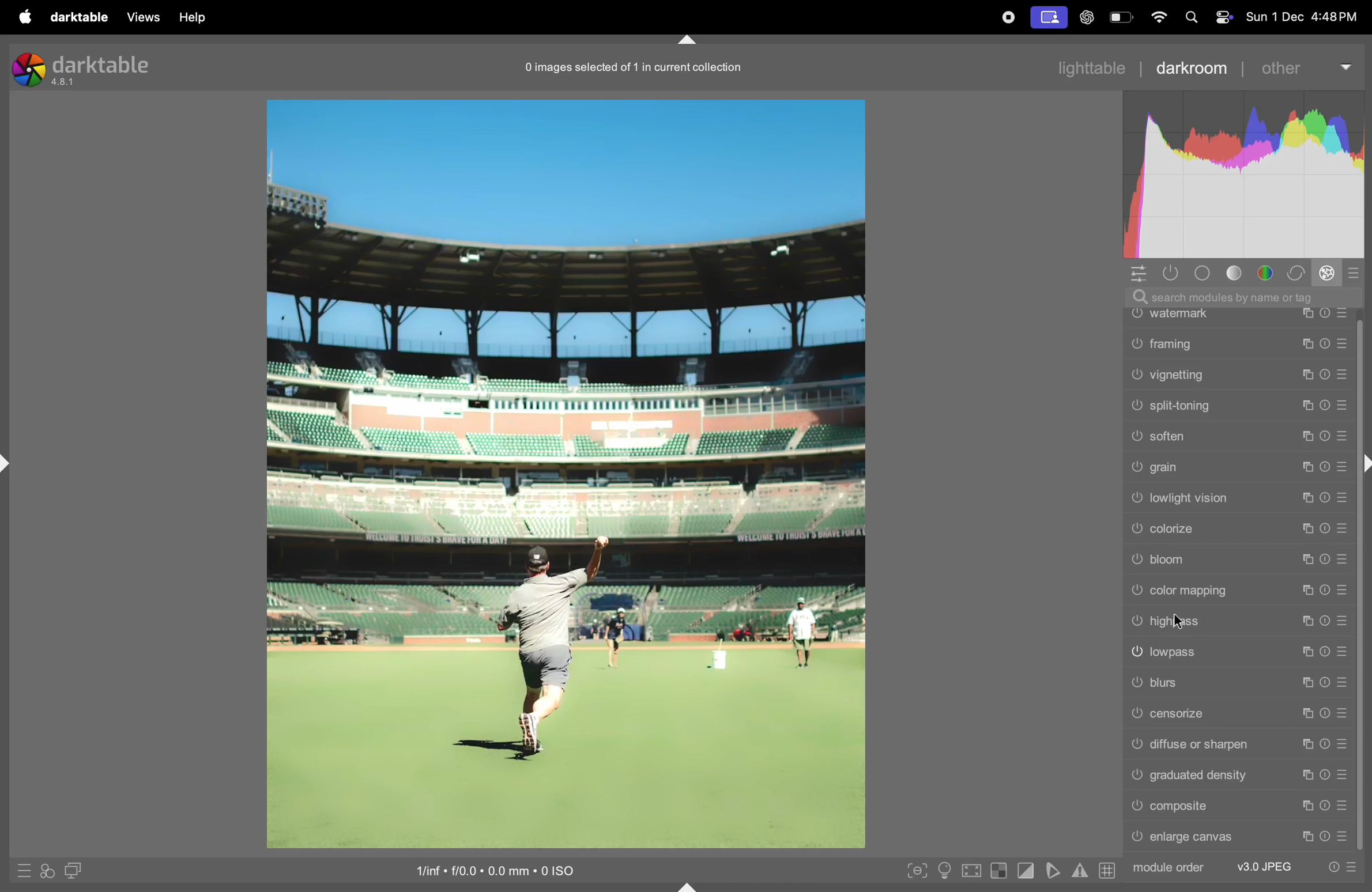 The image size is (1372, 892). What do you see at coordinates (20, 871) in the screenshot?
I see `quick acess presets` at bounding box center [20, 871].